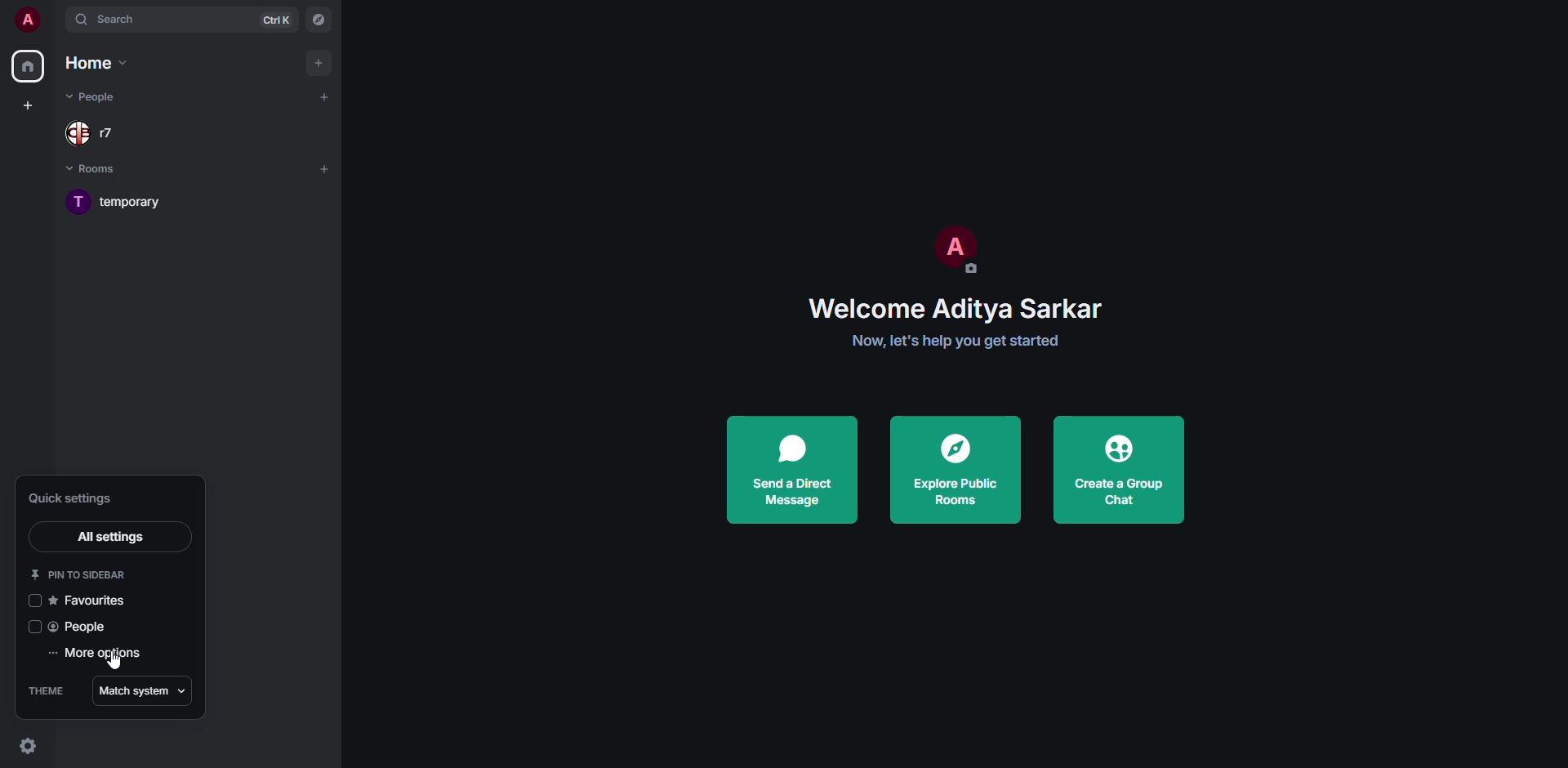  Describe the element at coordinates (30, 106) in the screenshot. I see `create space` at that location.